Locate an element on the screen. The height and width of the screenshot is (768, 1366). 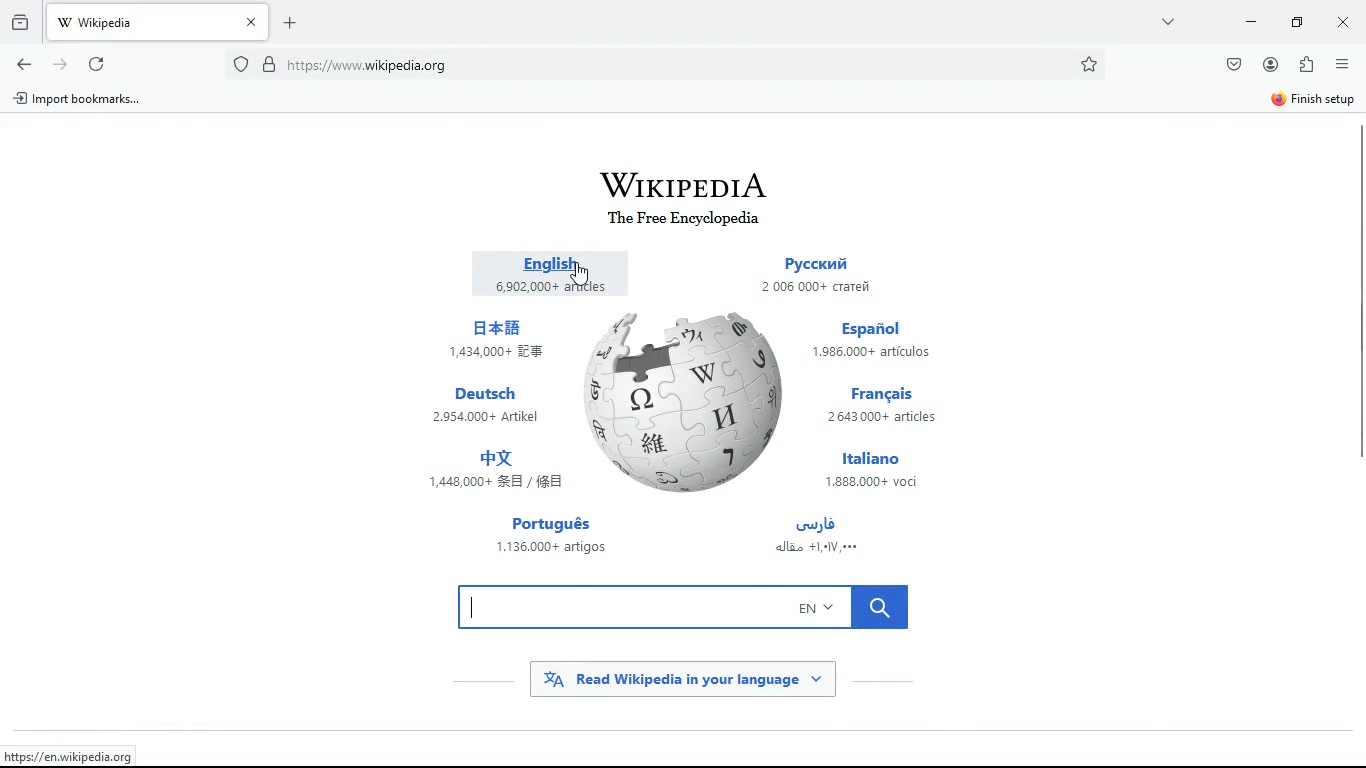
favorite is located at coordinates (1091, 64).